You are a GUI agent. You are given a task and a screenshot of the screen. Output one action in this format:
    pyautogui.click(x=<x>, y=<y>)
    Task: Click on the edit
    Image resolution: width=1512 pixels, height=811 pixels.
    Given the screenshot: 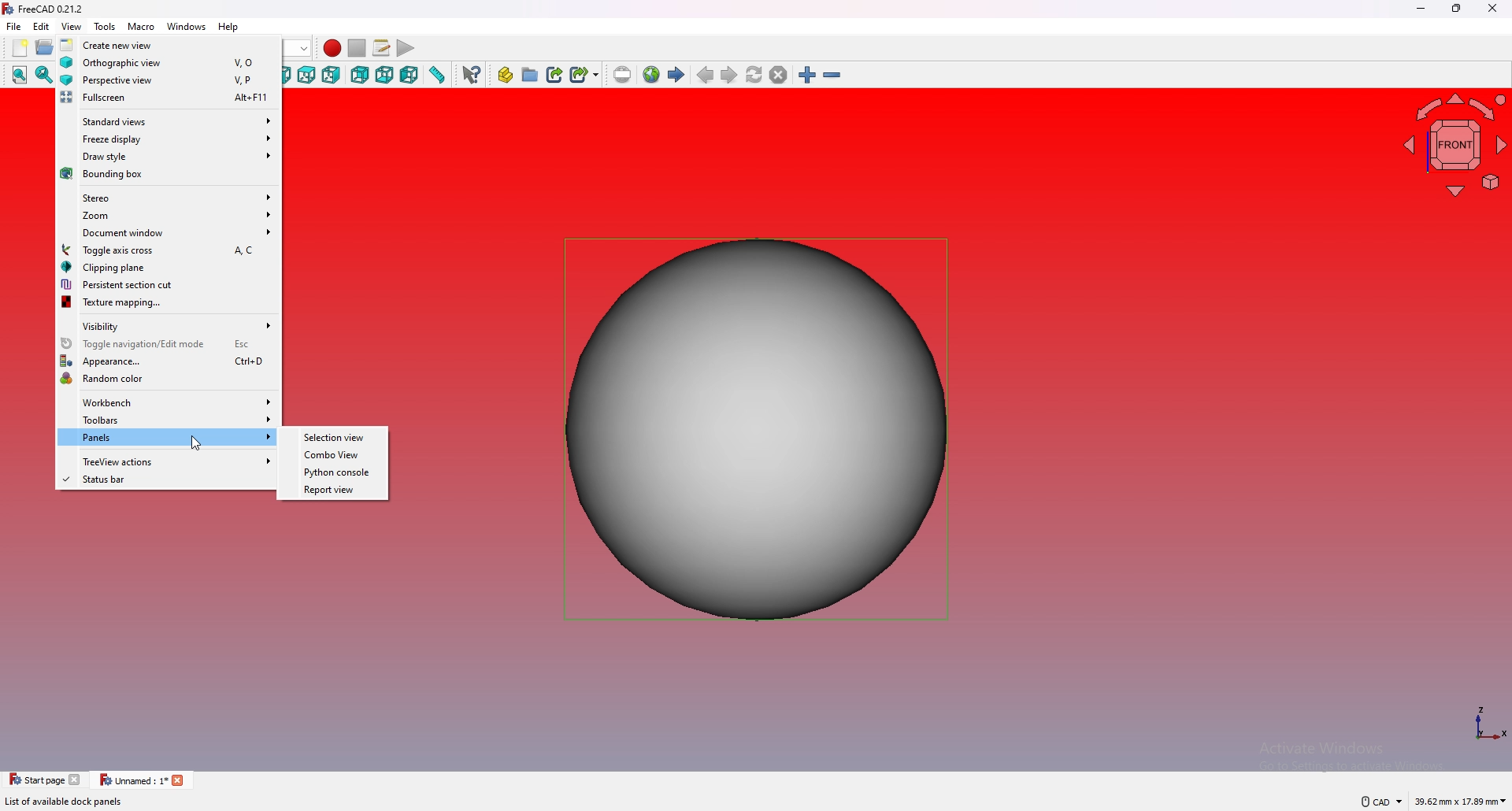 What is the action you would take?
    pyautogui.click(x=43, y=26)
    